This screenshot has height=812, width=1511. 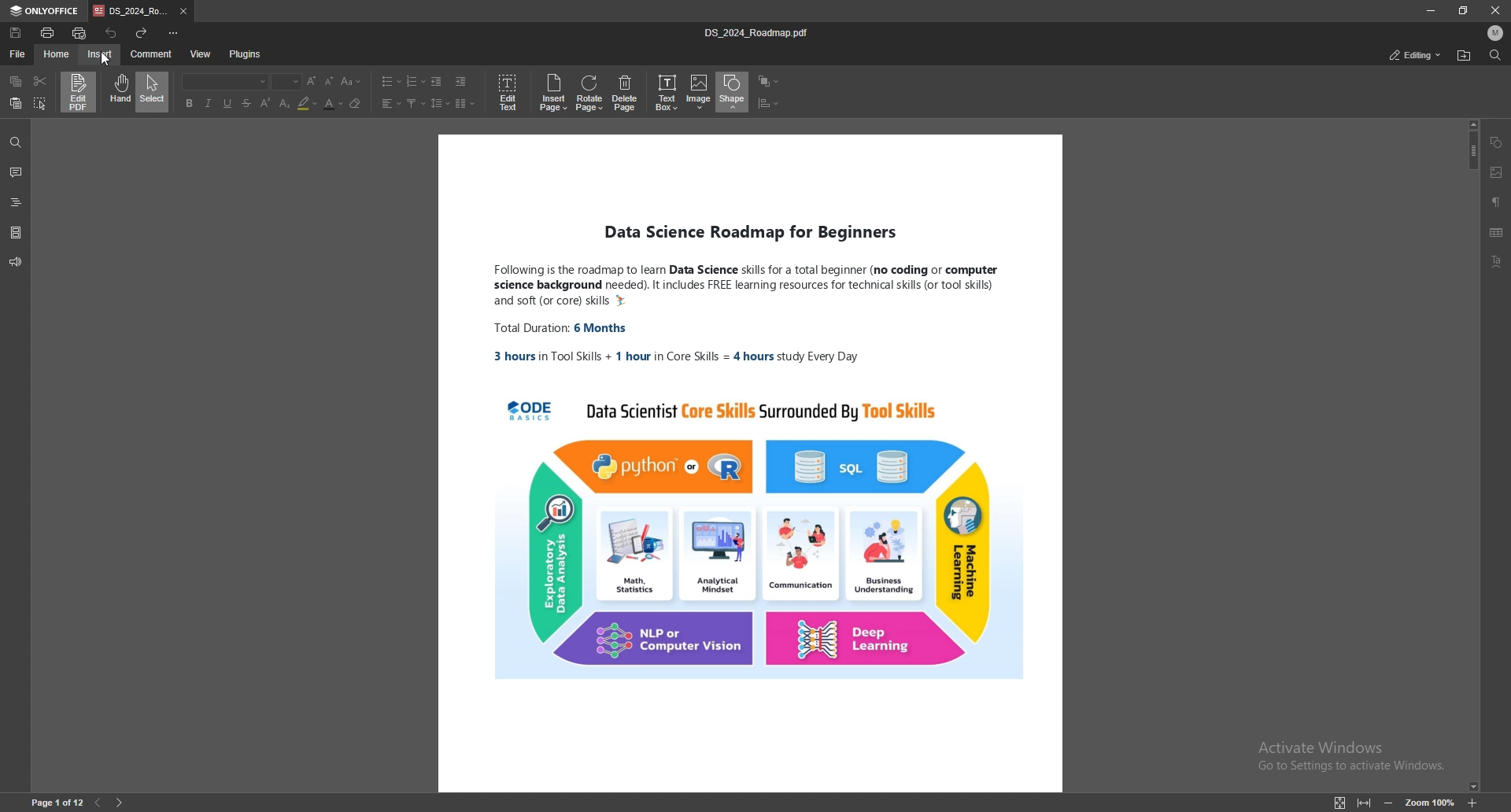 I want to click on plugins, so click(x=245, y=54).